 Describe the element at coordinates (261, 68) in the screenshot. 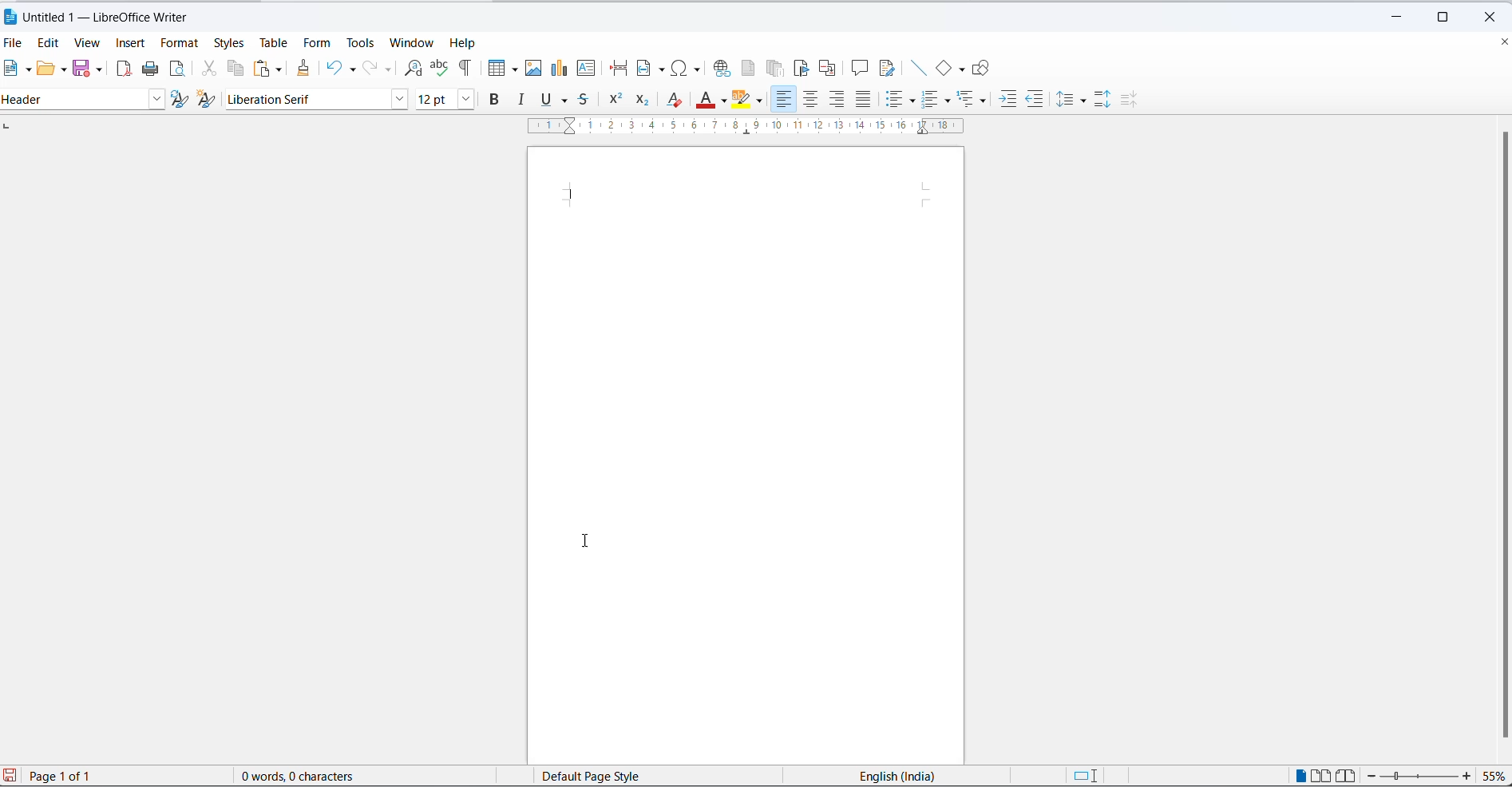

I see `paste options` at that location.